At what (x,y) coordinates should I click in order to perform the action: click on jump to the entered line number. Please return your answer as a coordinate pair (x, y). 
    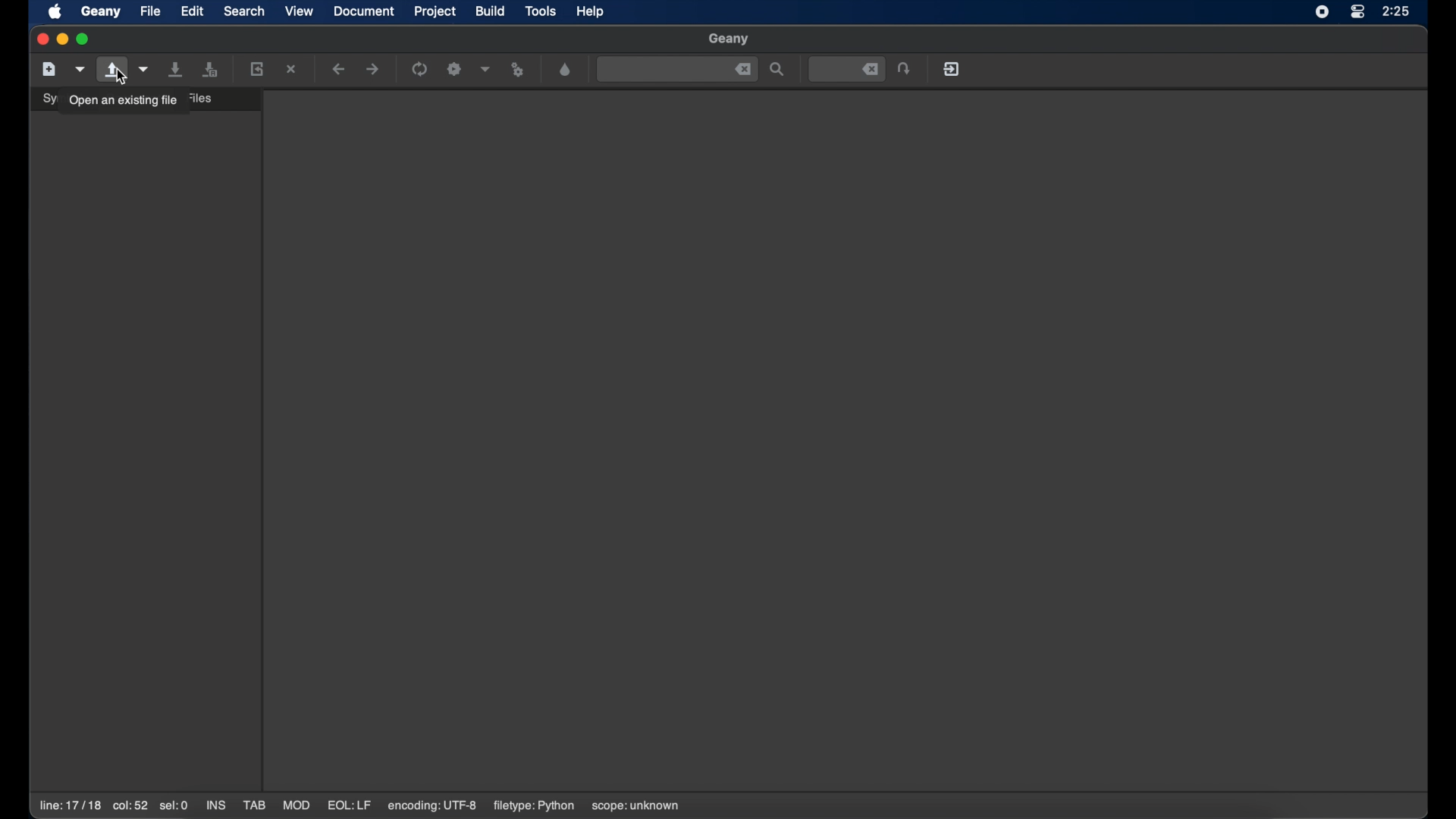
    Looking at the image, I should click on (846, 69).